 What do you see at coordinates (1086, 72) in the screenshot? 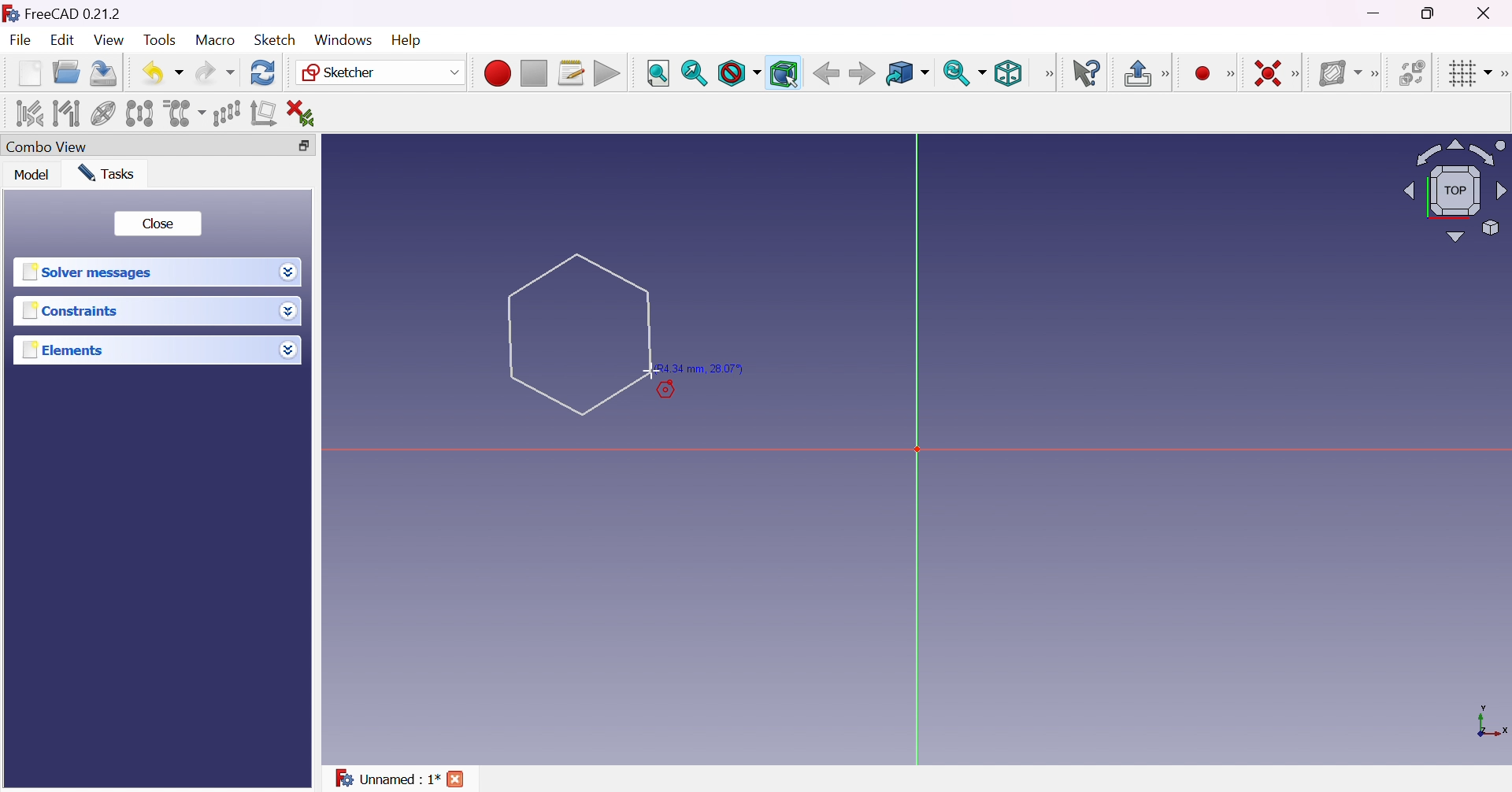
I see `What's this?` at bounding box center [1086, 72].